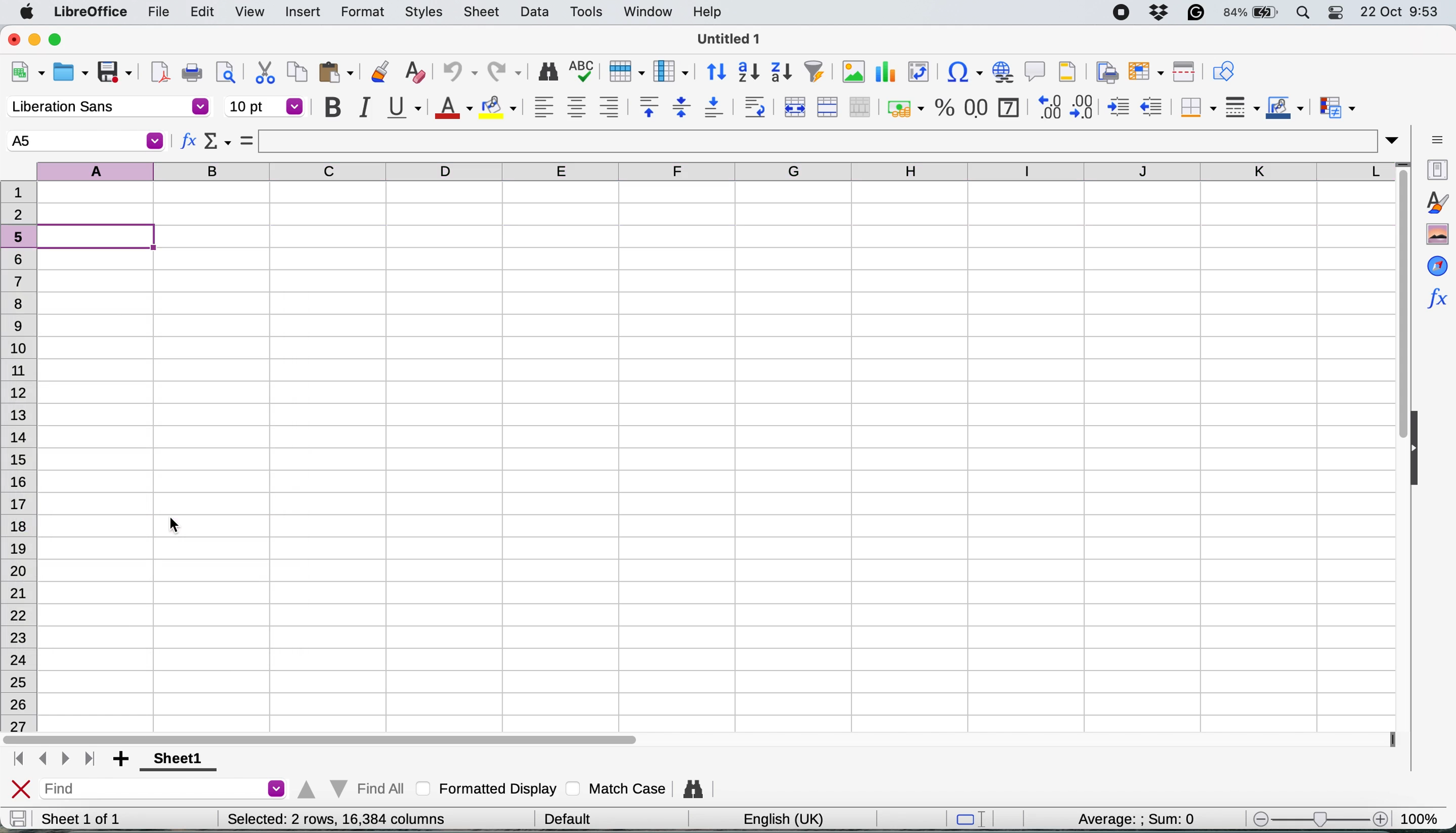 This screenshot has width=1456, height=833. Describe the element at coordinates (223, 72) in the screenshot. I see `print preview` at that location.